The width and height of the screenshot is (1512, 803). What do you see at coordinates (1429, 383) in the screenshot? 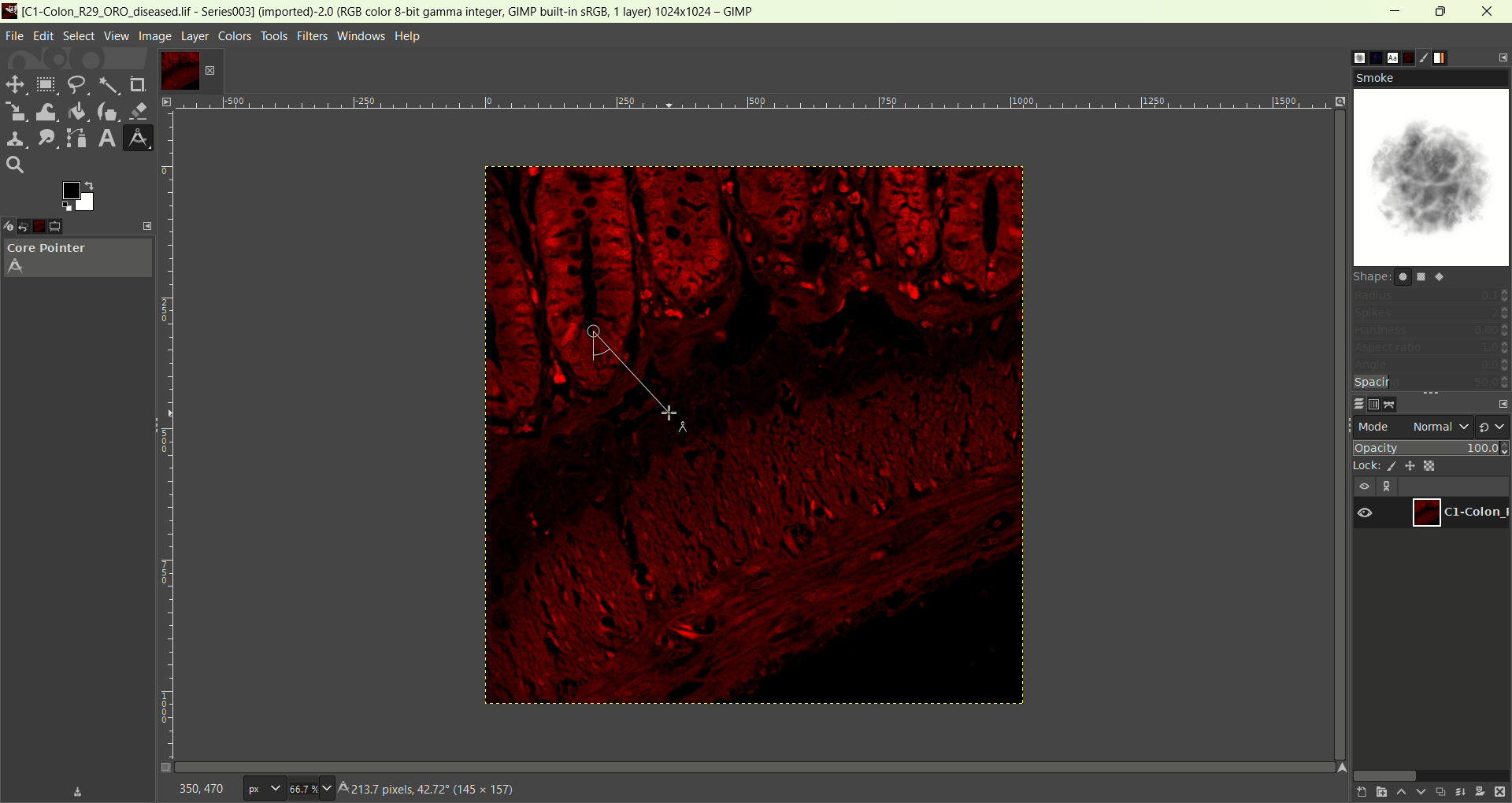
I see `spacing` at bounding box center [1429, 383].